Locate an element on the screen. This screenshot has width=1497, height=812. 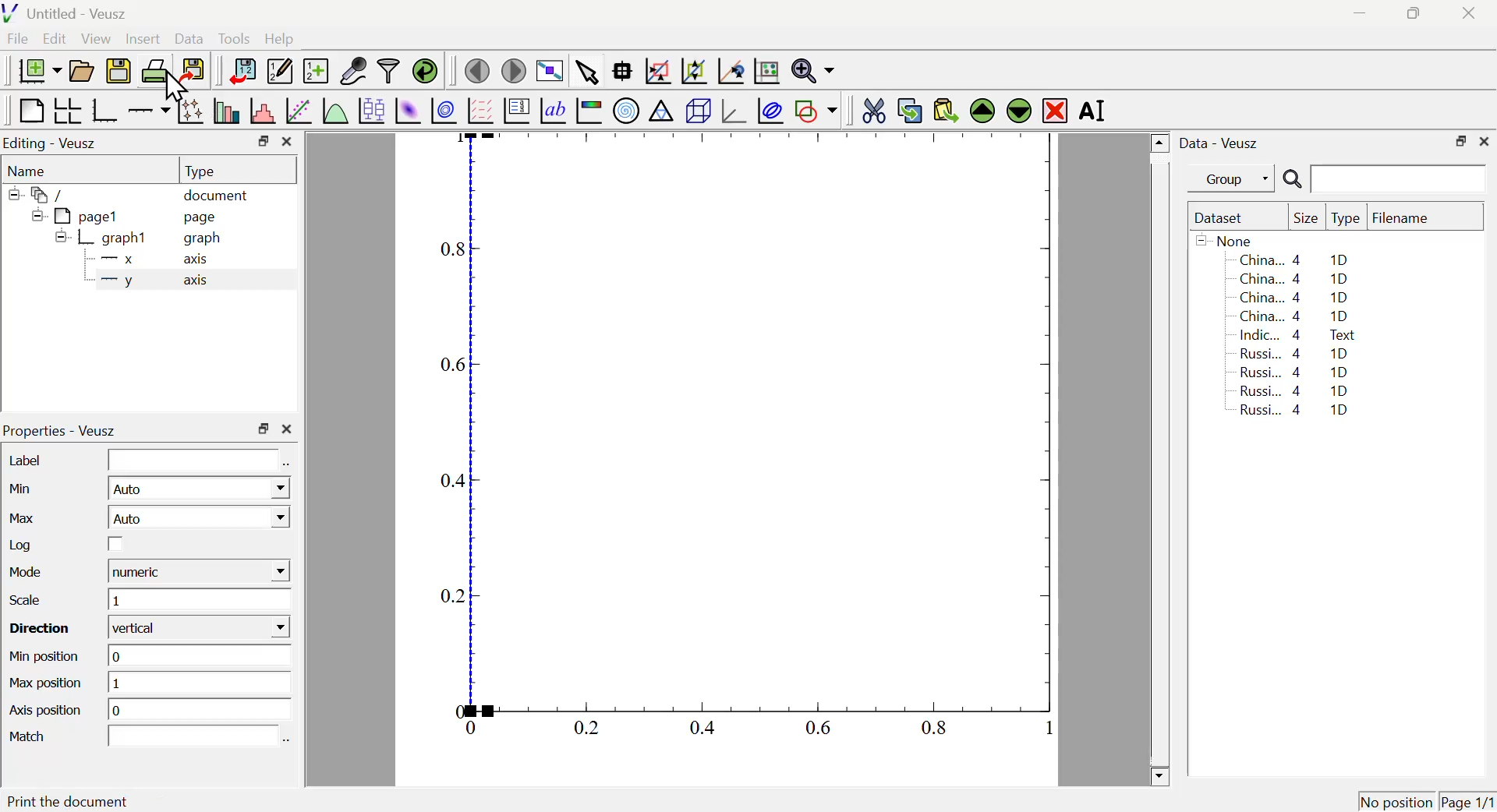
Dataset is located at coordinates (1222, 219).